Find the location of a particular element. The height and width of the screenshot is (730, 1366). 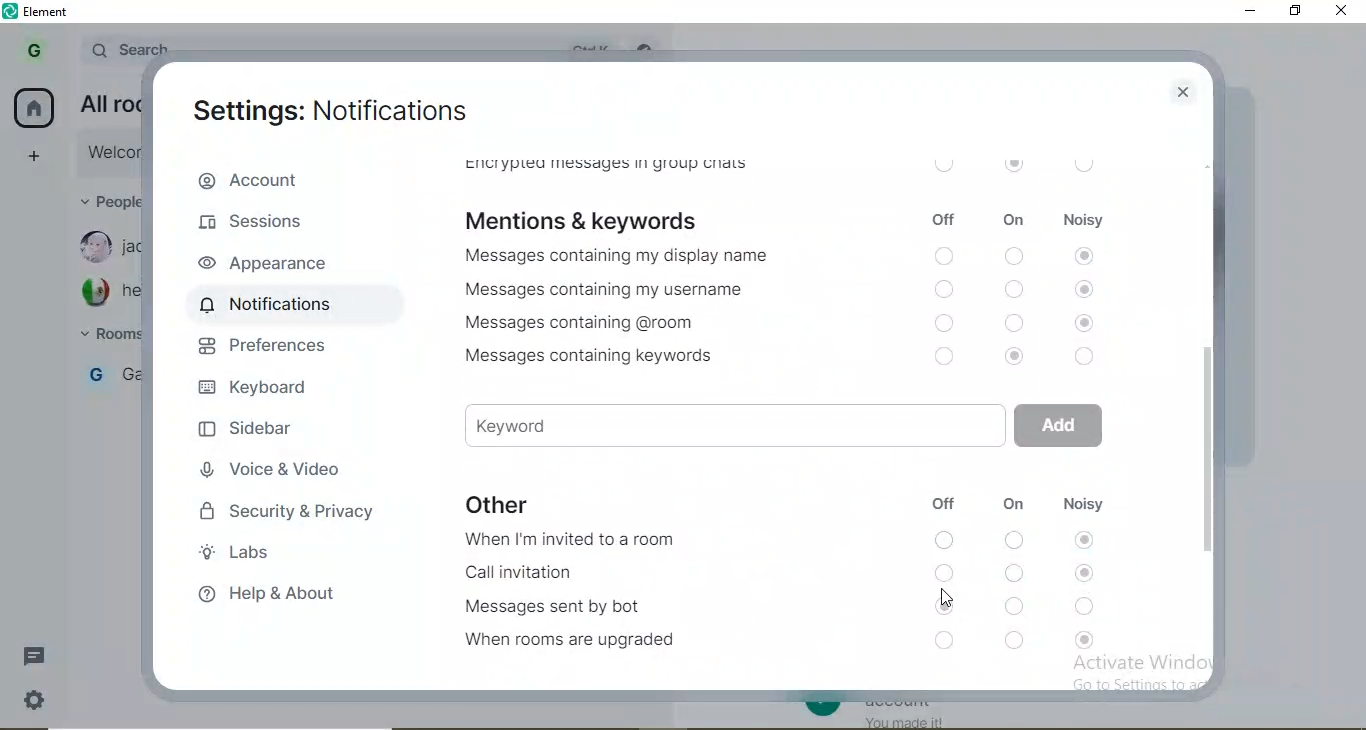

Messages containing my display name is located at coordinates (632, 255).